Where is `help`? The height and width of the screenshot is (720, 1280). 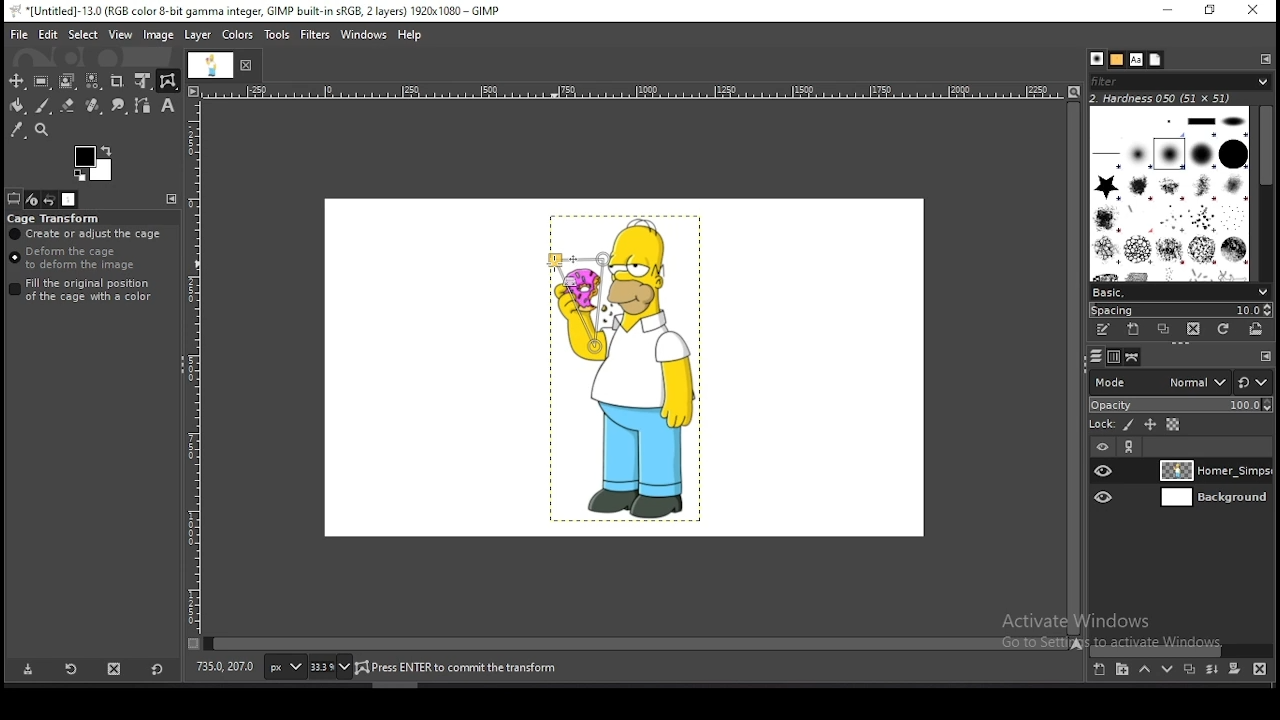
help is located at coordinates (410, 35).